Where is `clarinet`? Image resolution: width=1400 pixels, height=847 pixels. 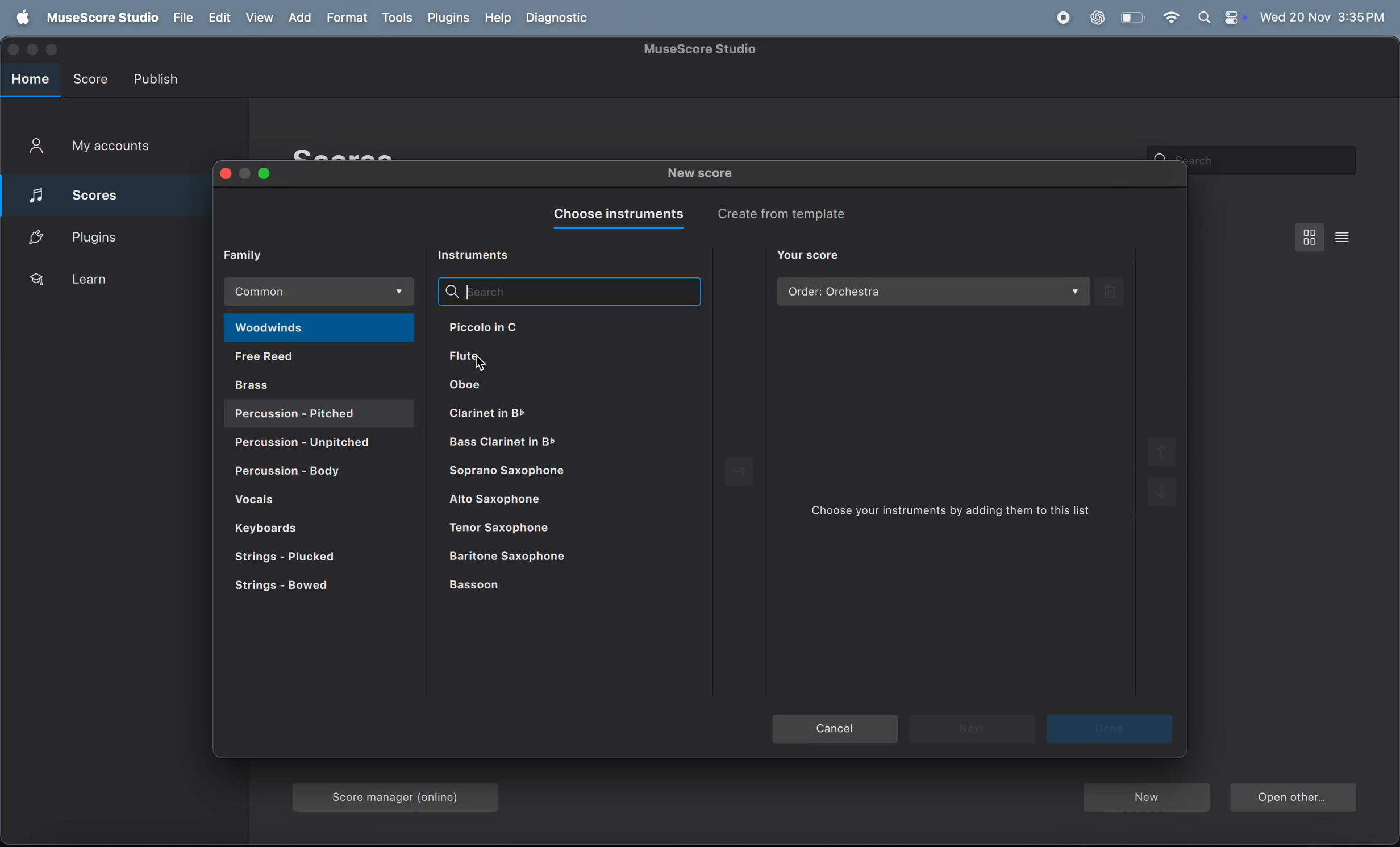 clarinet is located at coordinates (542, 412).